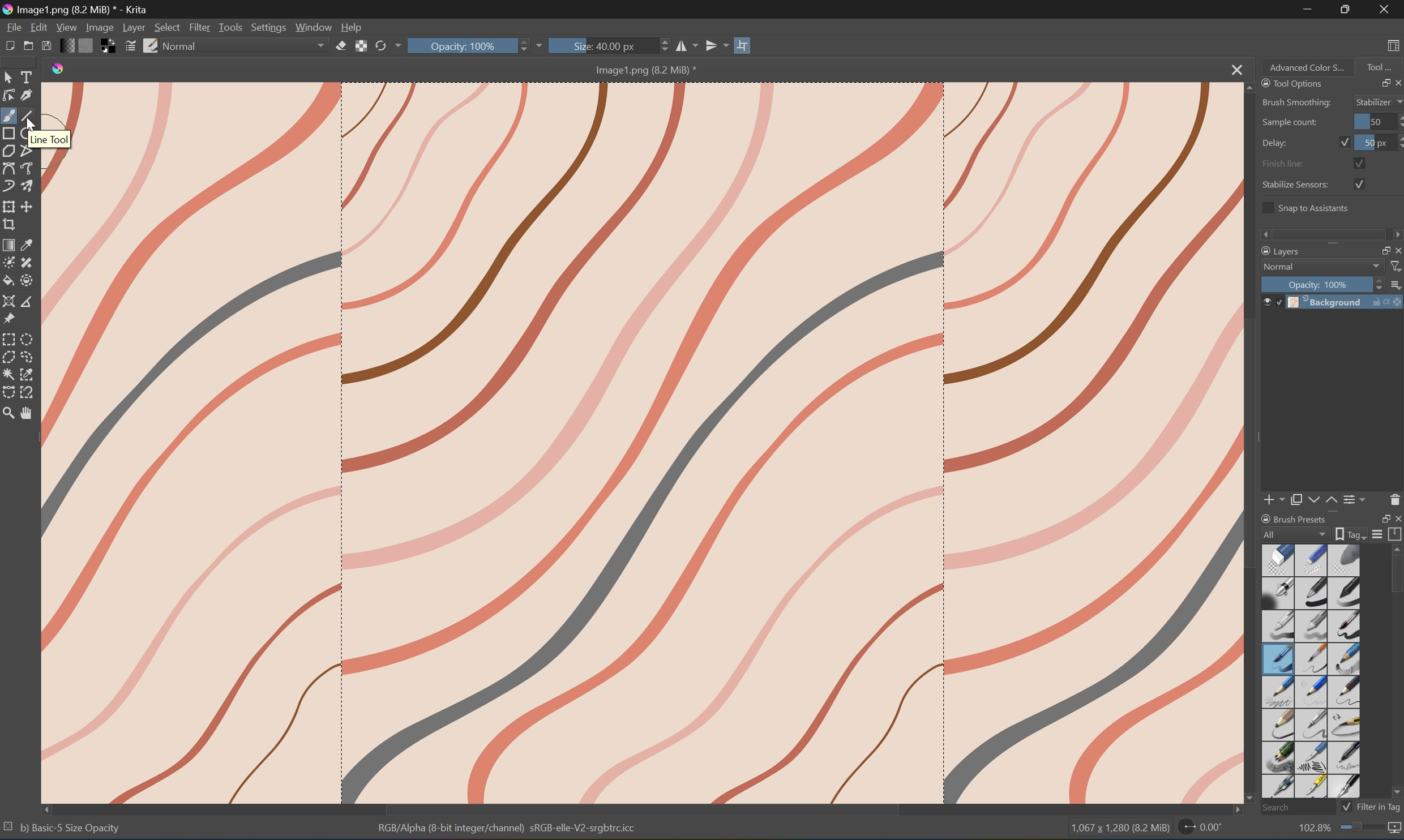  I want to click on Slider, so click(526, 46).